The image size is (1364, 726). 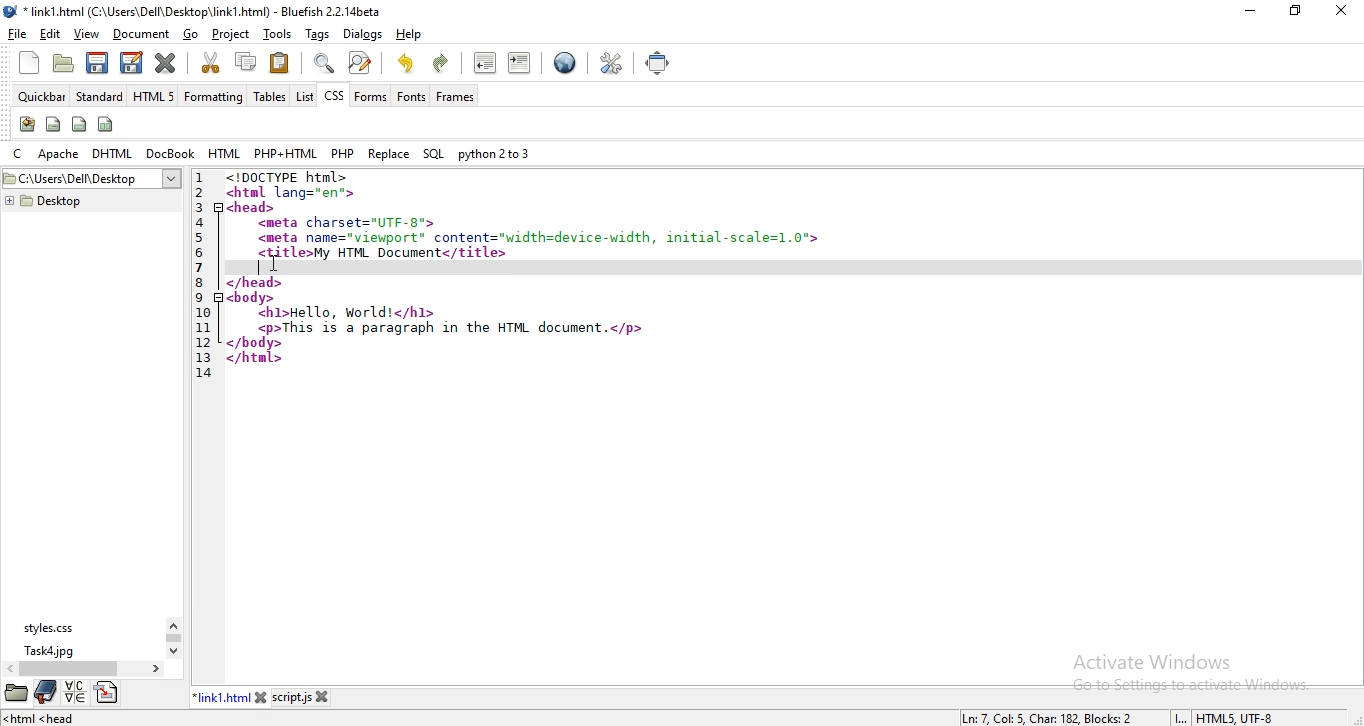 What do you see at coordinates (188, 33) in the screenshot?
I see `go` at bounding box center [188, 33].